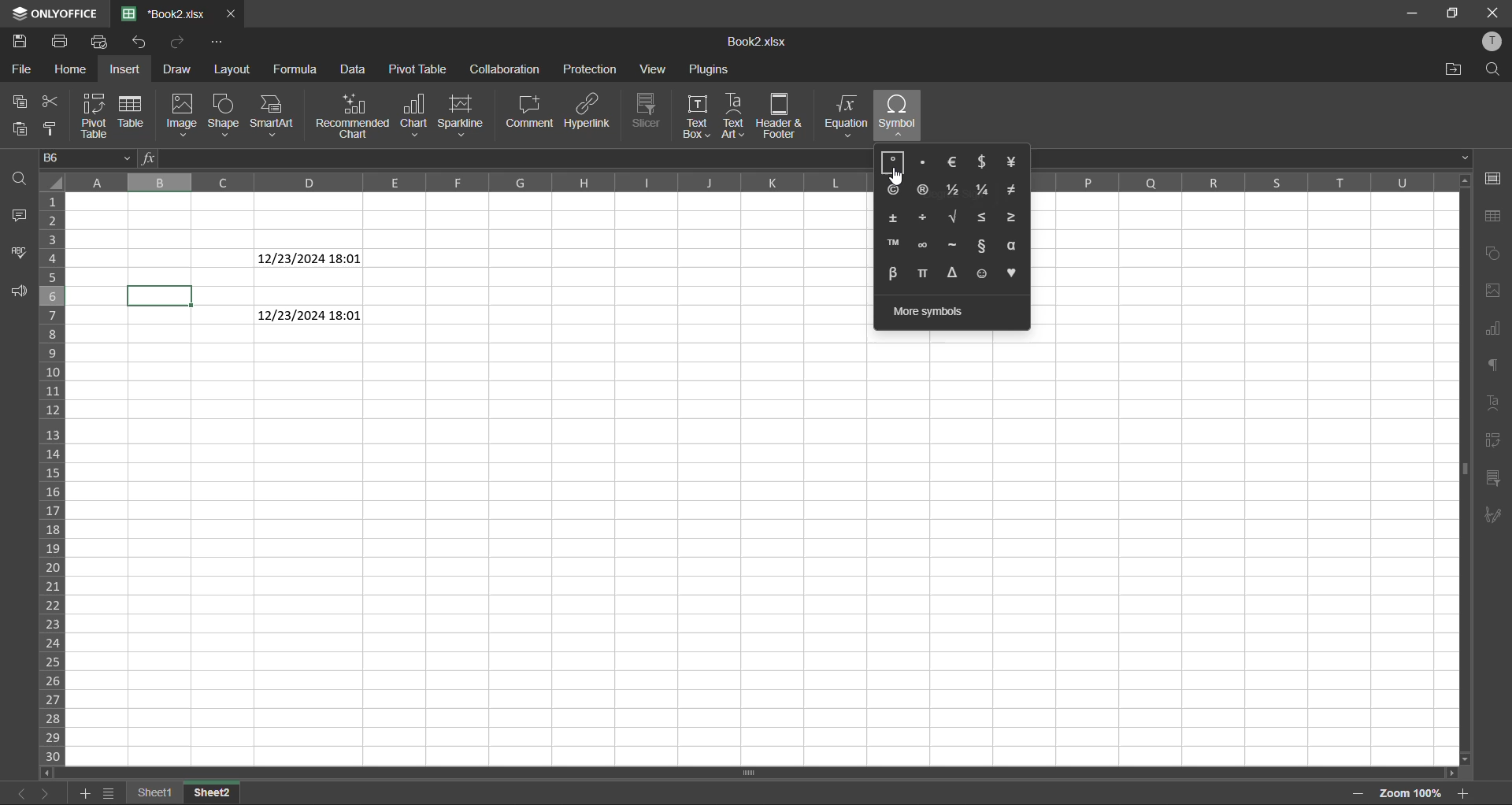  I want to click on sheet 1, so click(155, 794).